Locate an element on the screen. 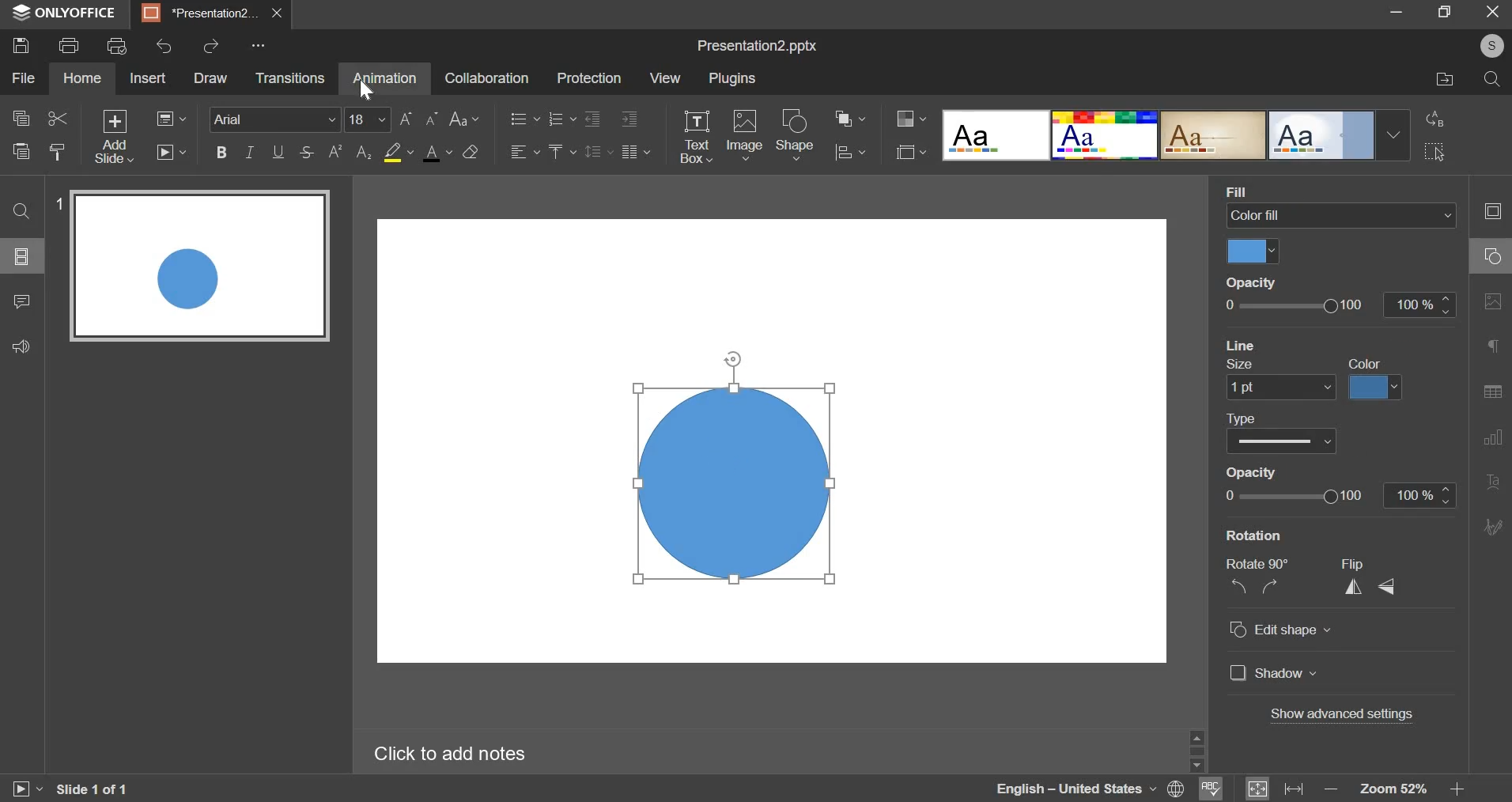 The image size is (1512, 802). undo is located at coordinates (165, 47).